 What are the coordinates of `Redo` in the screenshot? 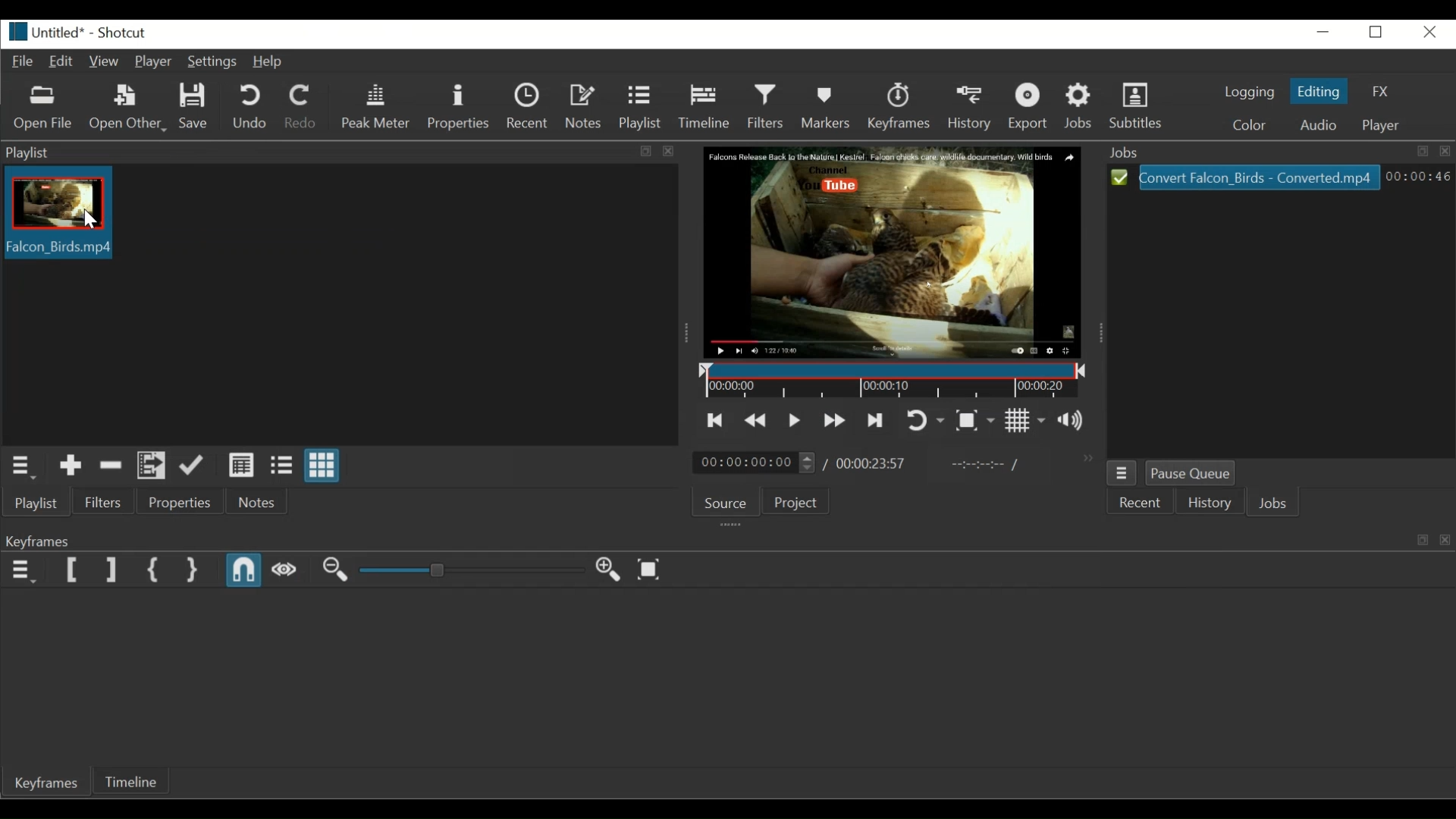 It's located at (302, 107).